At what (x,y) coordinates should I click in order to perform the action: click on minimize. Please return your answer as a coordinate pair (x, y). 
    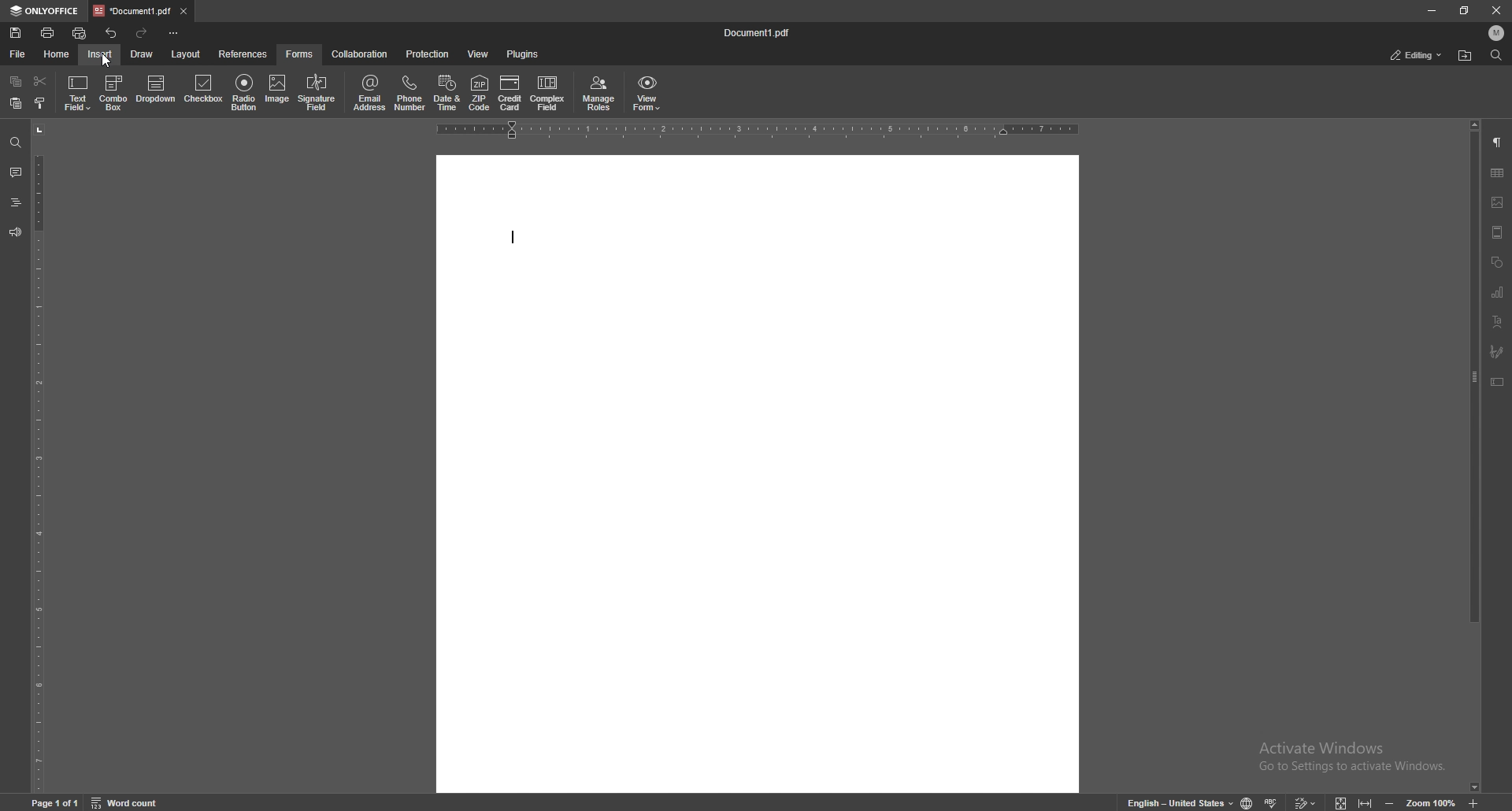
    Looking at the image, I should click on (1432, 10).